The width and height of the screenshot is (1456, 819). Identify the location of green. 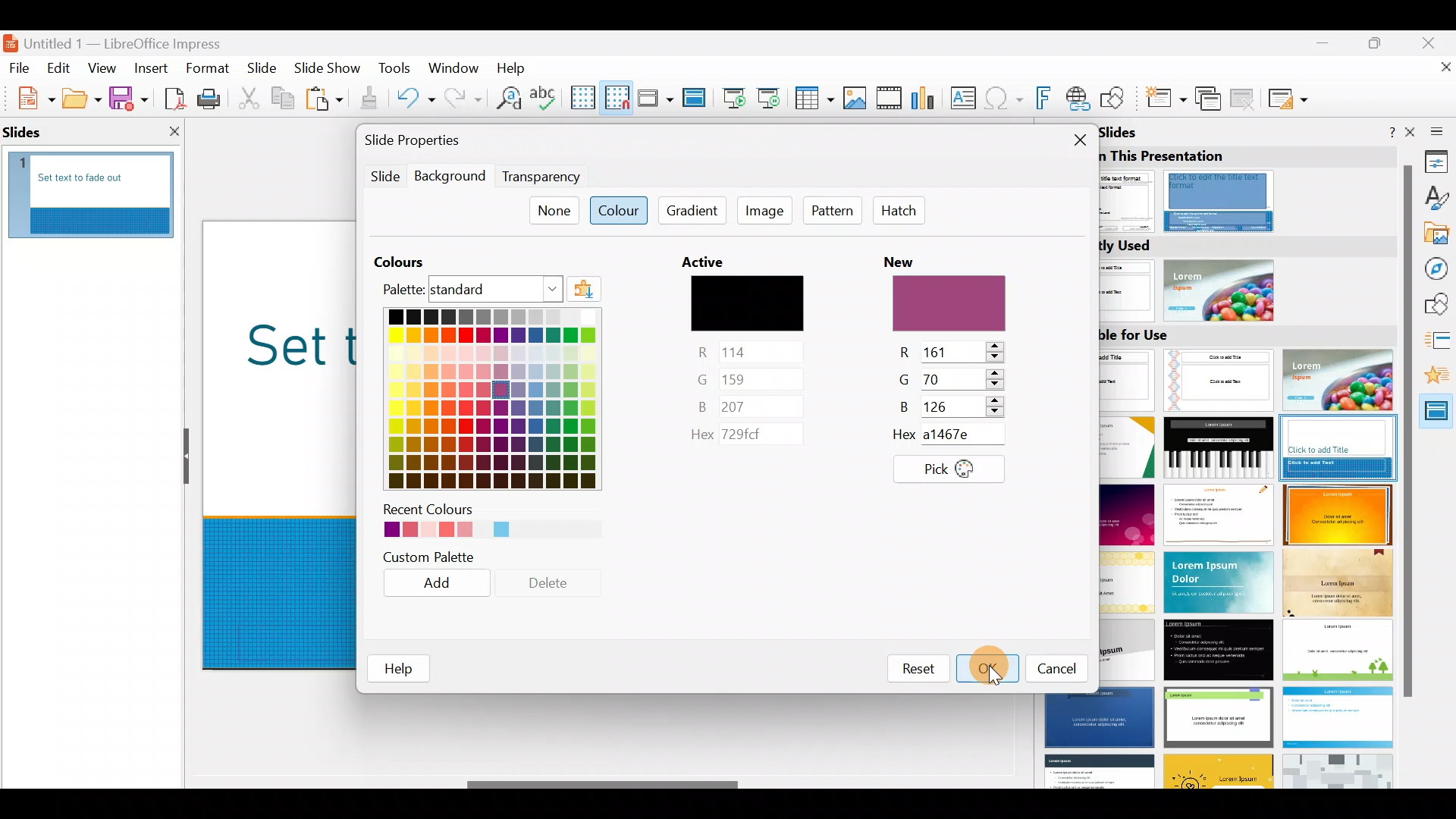
(747, 378).